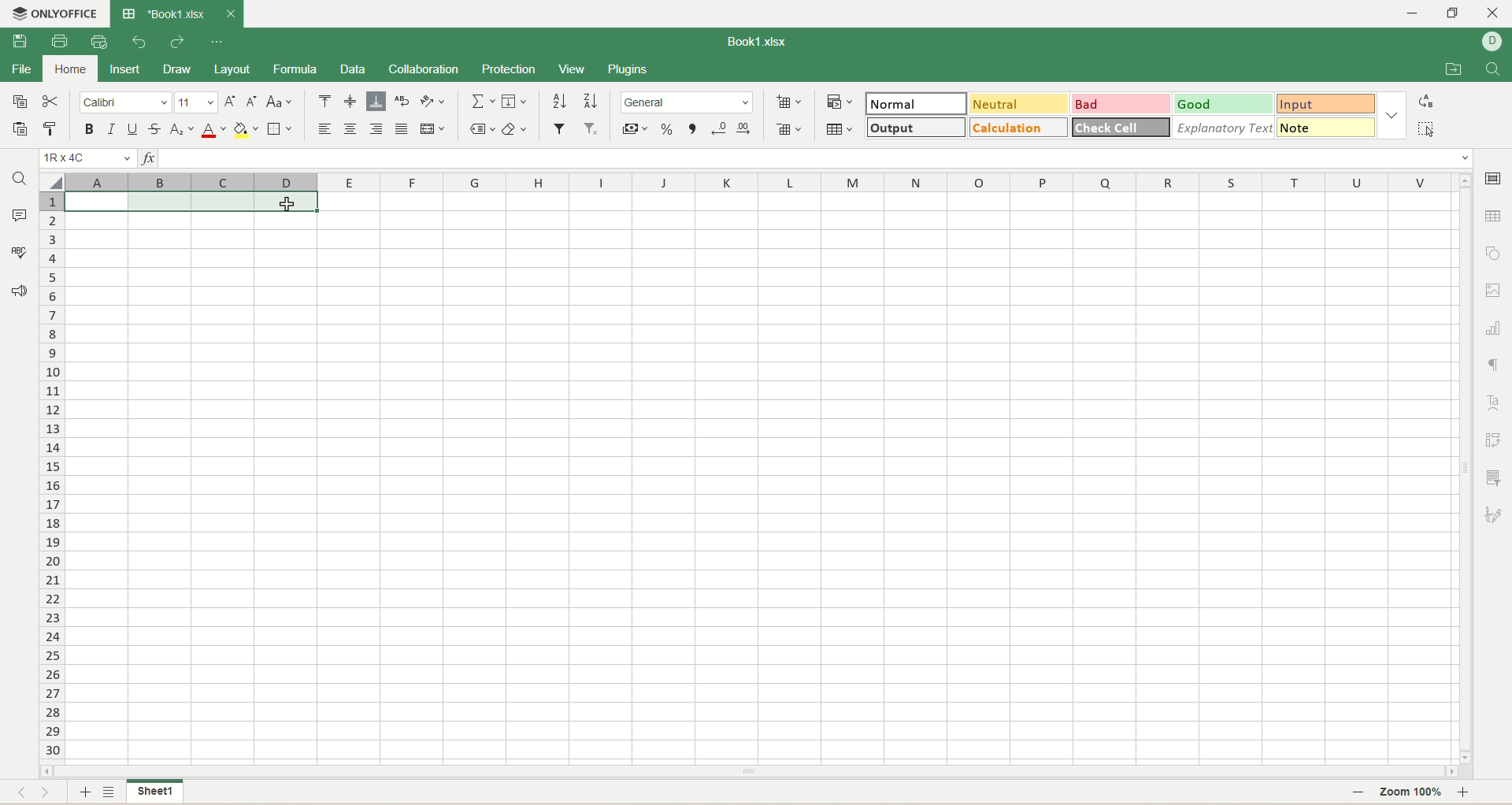 This screenshot has height=805, width=1512. What do you see at coordinates (1492, 42) in the screenshot?
I see `username` at bounding box center [1492, 42].